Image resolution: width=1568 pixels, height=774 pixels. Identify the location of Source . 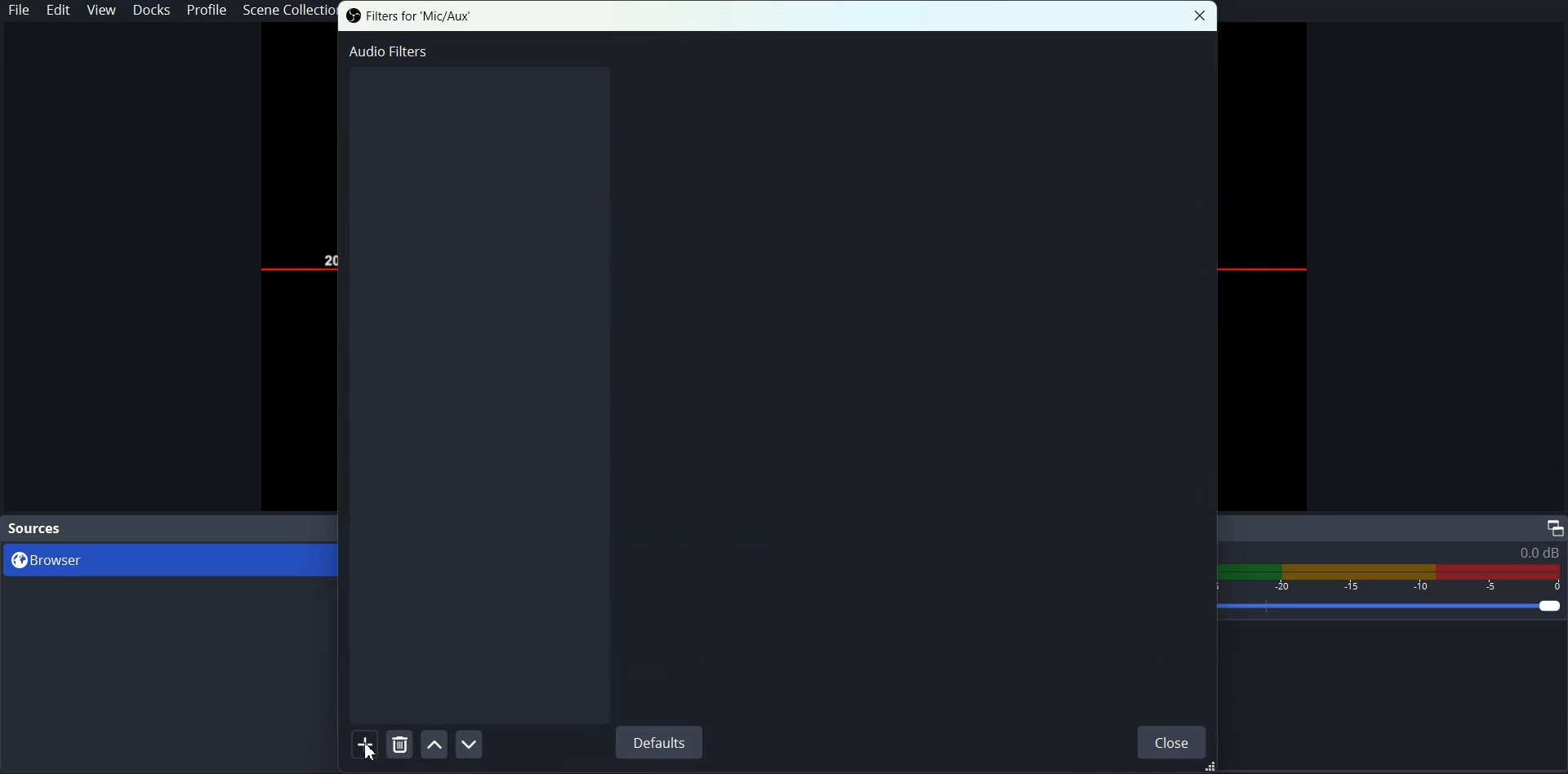
(37, 527).